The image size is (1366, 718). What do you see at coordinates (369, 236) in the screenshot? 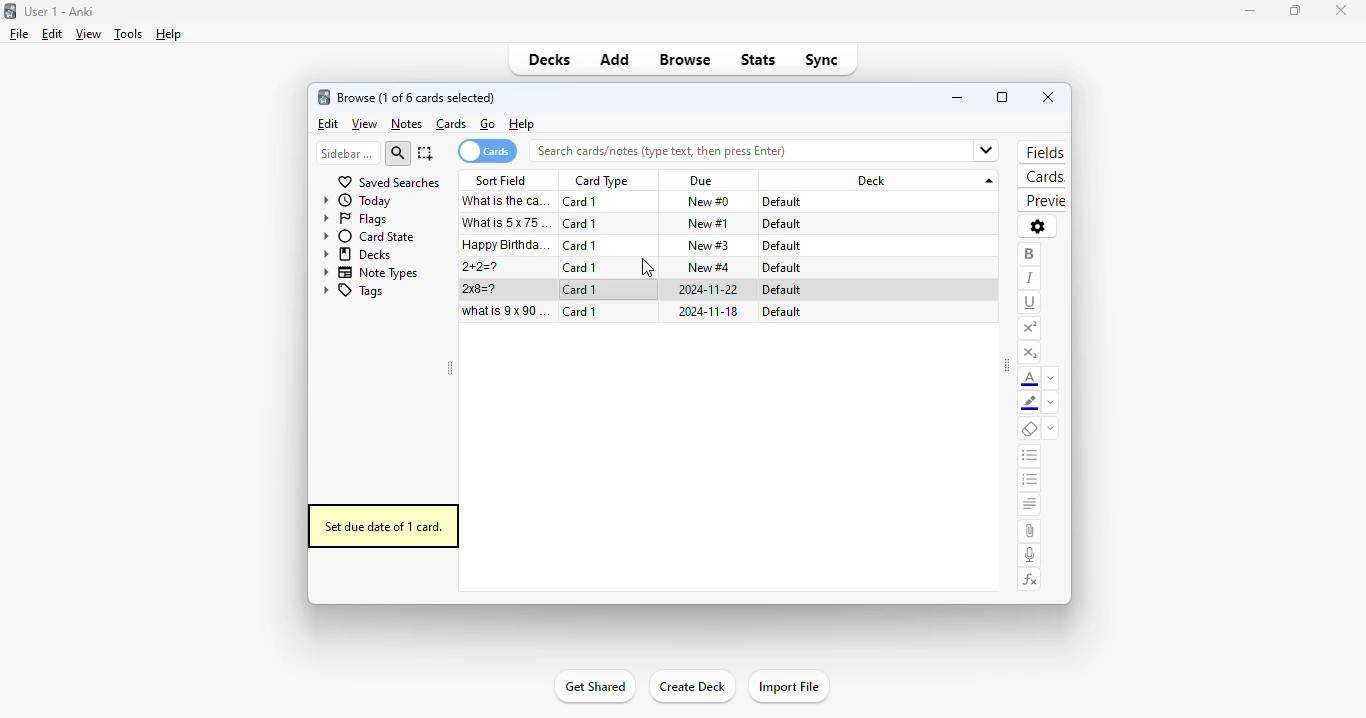
I see `card state` at bounding box center [369, 236].